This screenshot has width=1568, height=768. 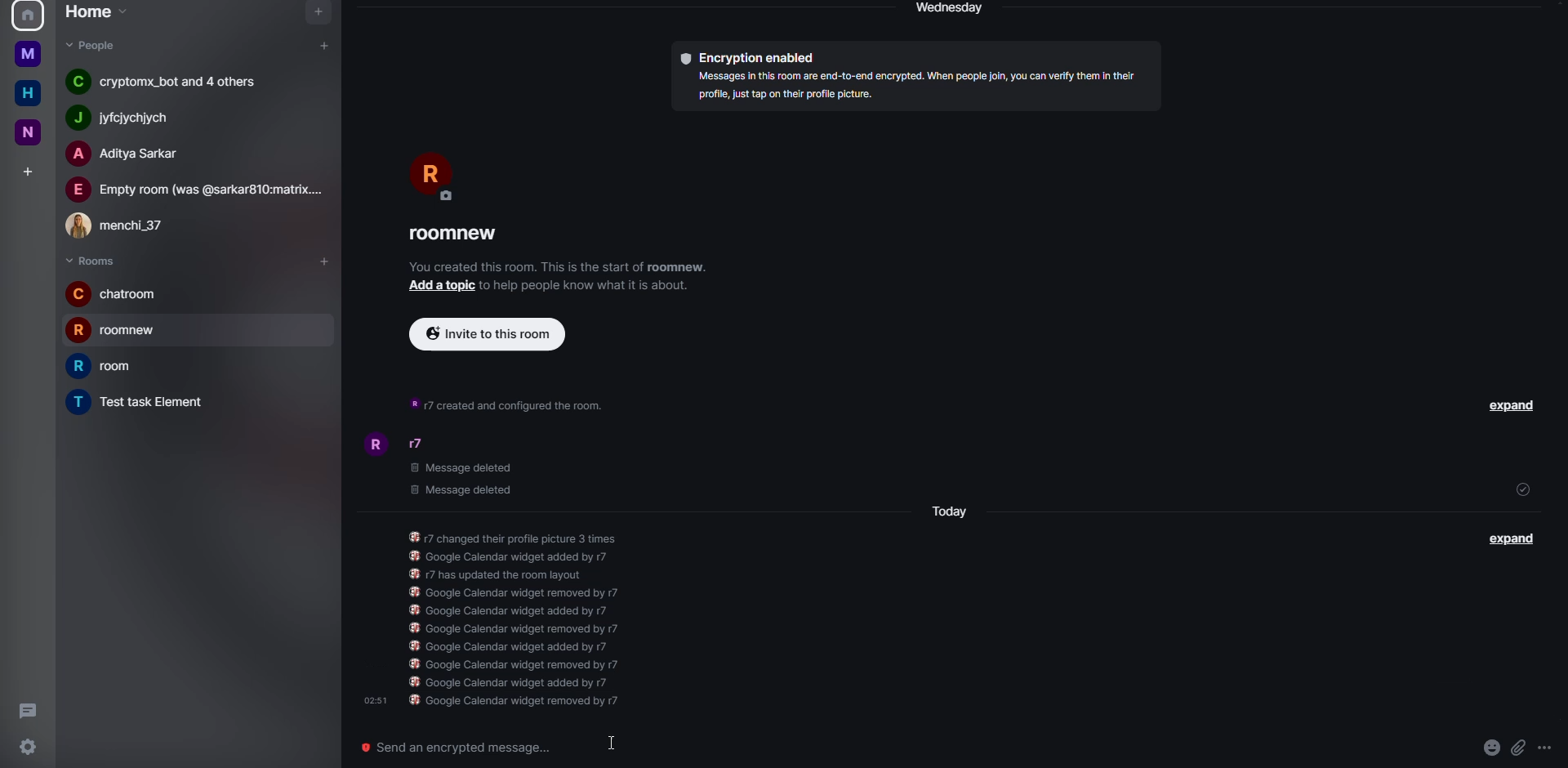 I want to click on people, so click(x=125, y=225).